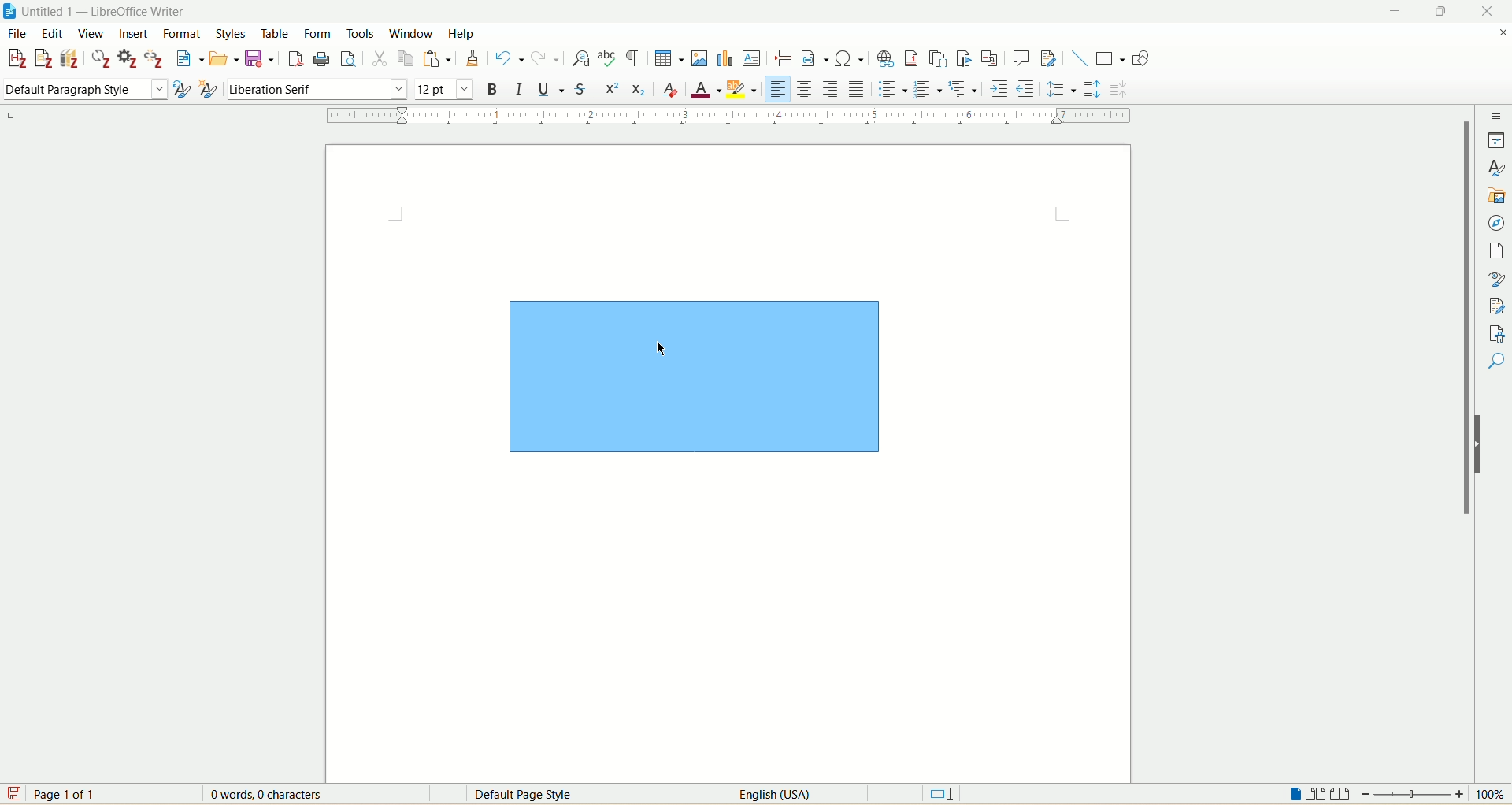  Describe the element at coordinates (720, 458) in the screenshot. I see `page` at that location.